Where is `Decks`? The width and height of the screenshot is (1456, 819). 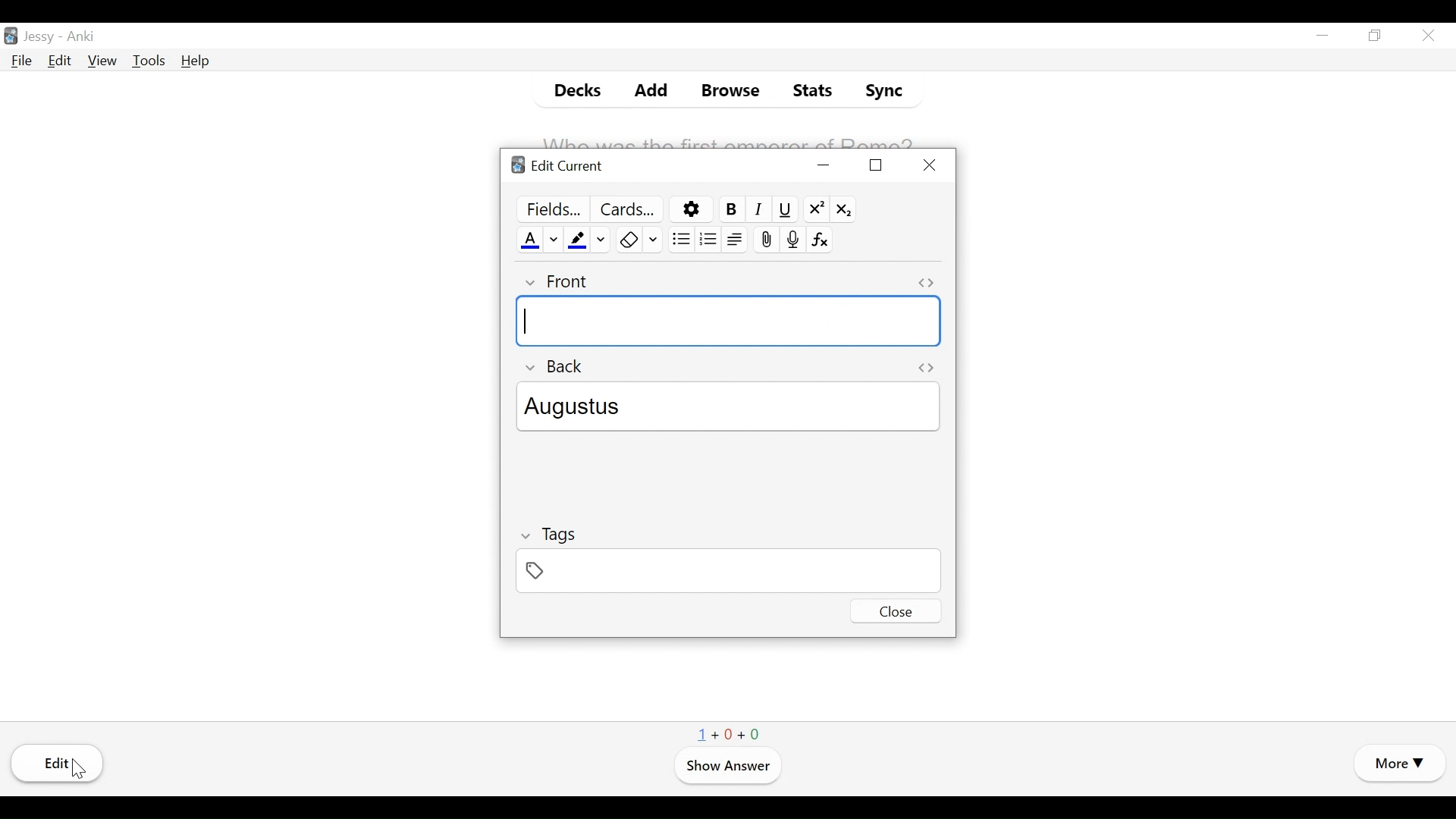 Decks is located at coordinates (571, 89).